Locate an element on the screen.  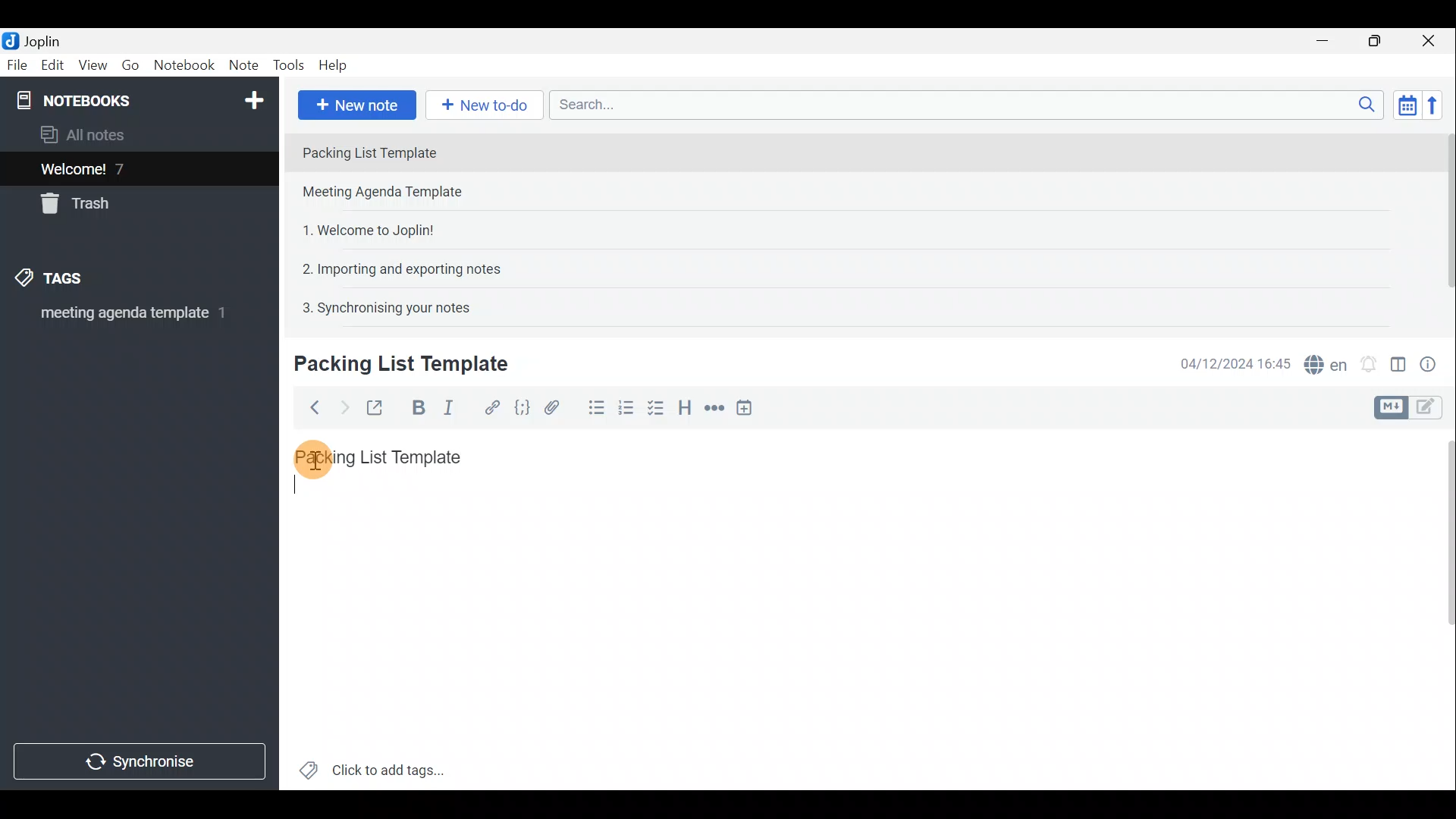
Bold is located at coordinates (416, 406).